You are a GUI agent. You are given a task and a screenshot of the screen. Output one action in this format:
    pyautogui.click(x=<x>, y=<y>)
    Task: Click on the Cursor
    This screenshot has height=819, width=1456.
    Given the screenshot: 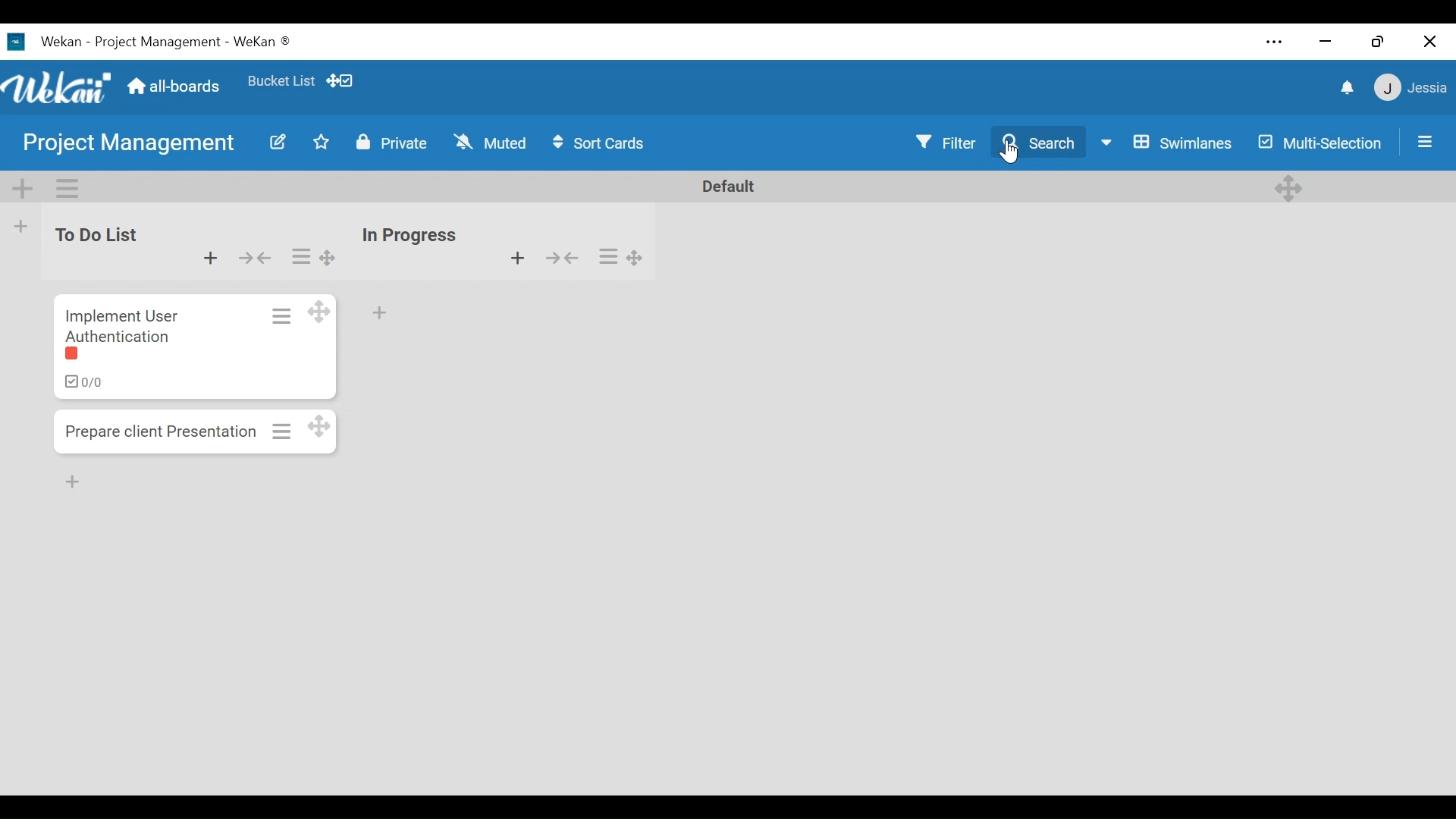 What is the action you would take?
    pyautogui.click(x=1009, y=152)
    